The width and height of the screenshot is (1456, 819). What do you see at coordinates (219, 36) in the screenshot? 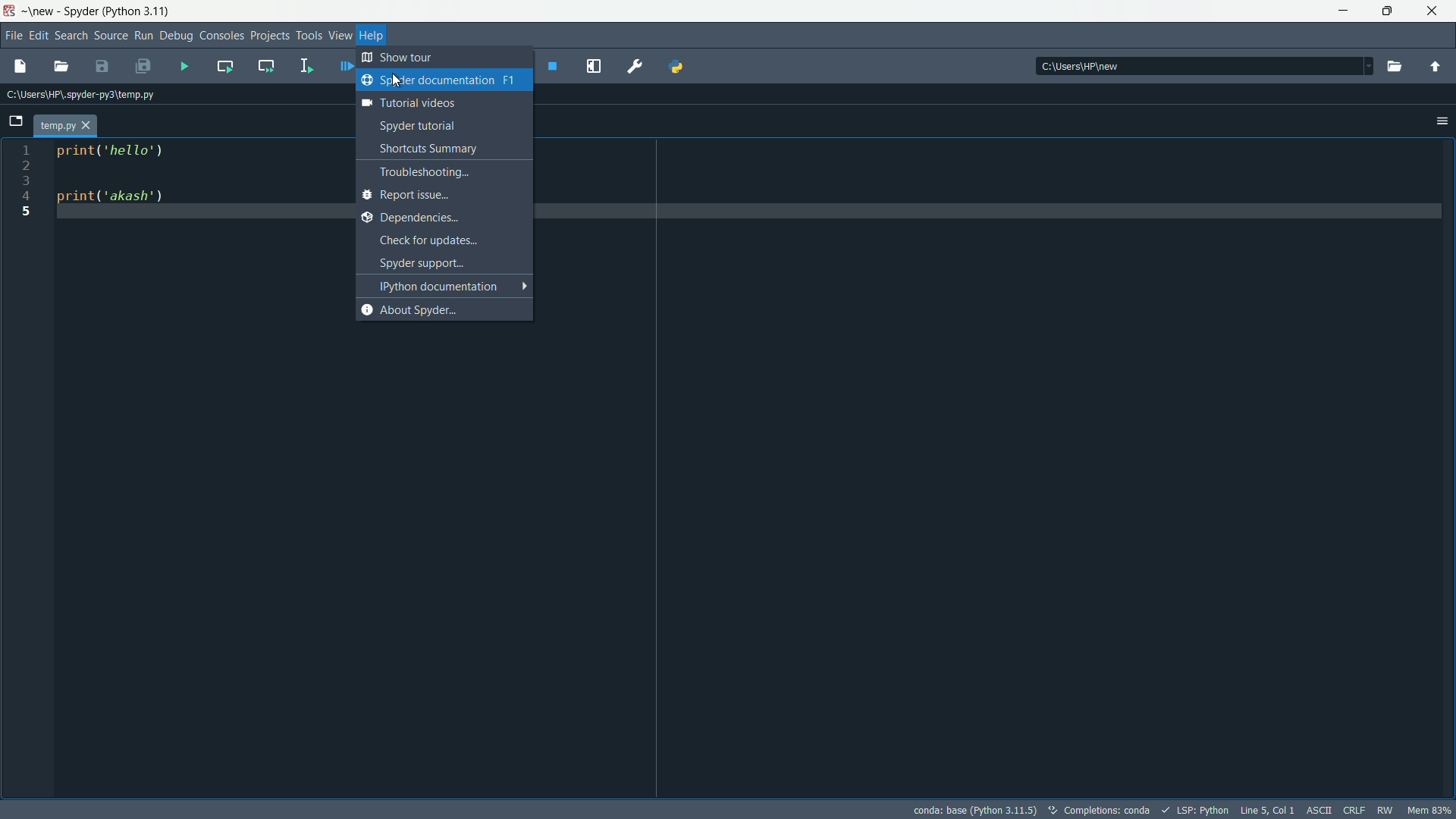
I see `consoles menu` at bounding box center [219, 36].